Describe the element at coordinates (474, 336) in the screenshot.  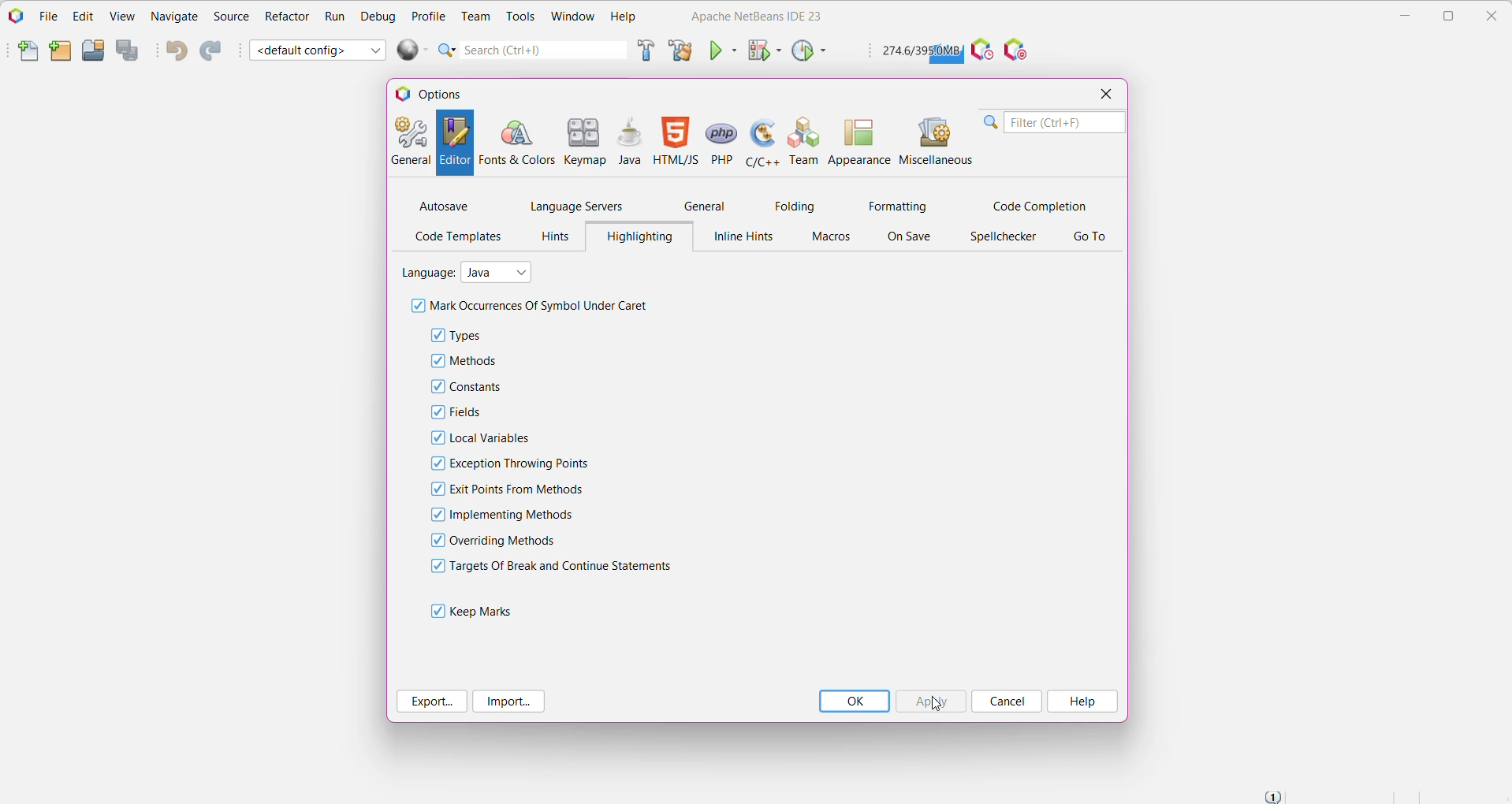
I see `Types - click to enable` at that location.